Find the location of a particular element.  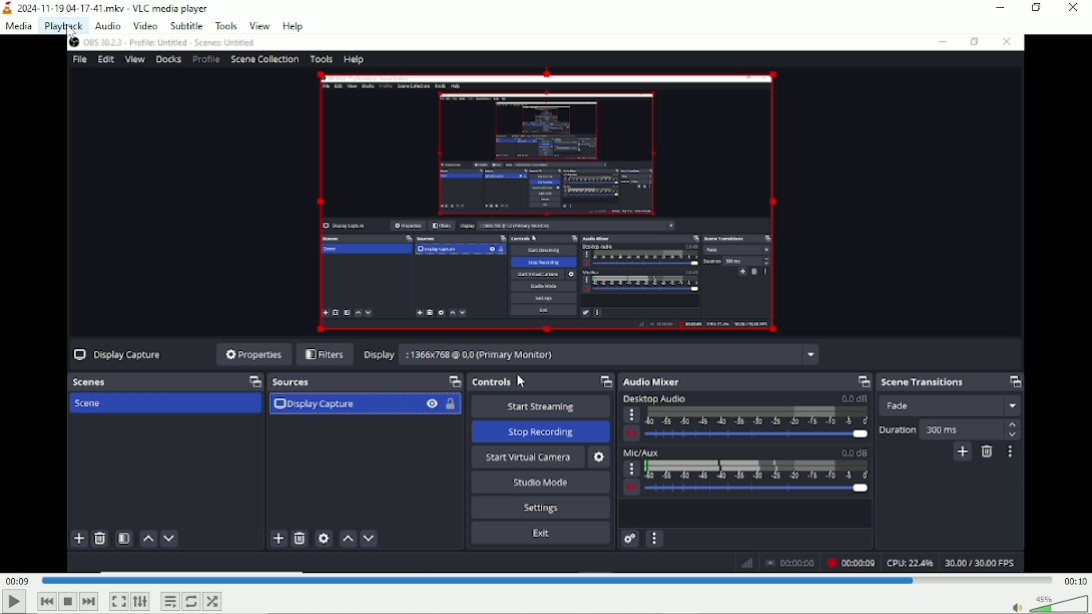

Toggle between loop all, loop one and no loop is located at coordinates (191, 601).